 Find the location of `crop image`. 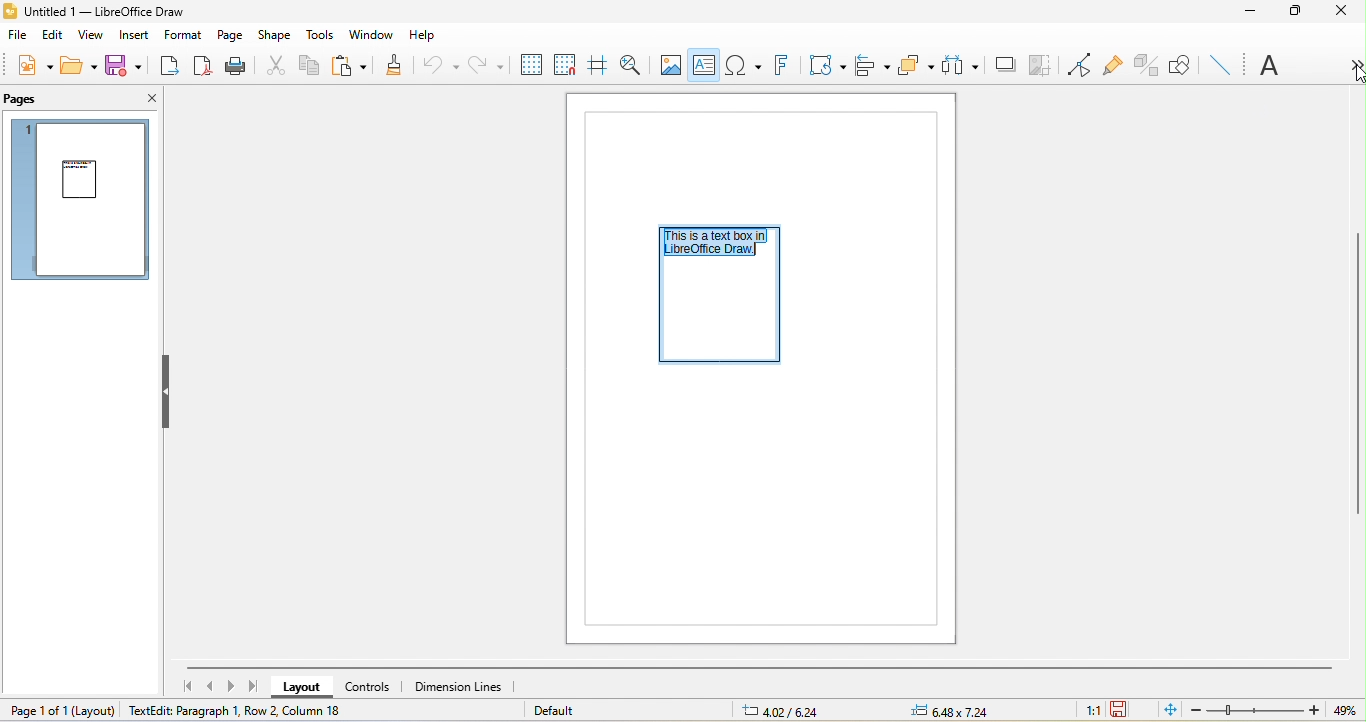

crop image is located at coordinates (1038, 64).